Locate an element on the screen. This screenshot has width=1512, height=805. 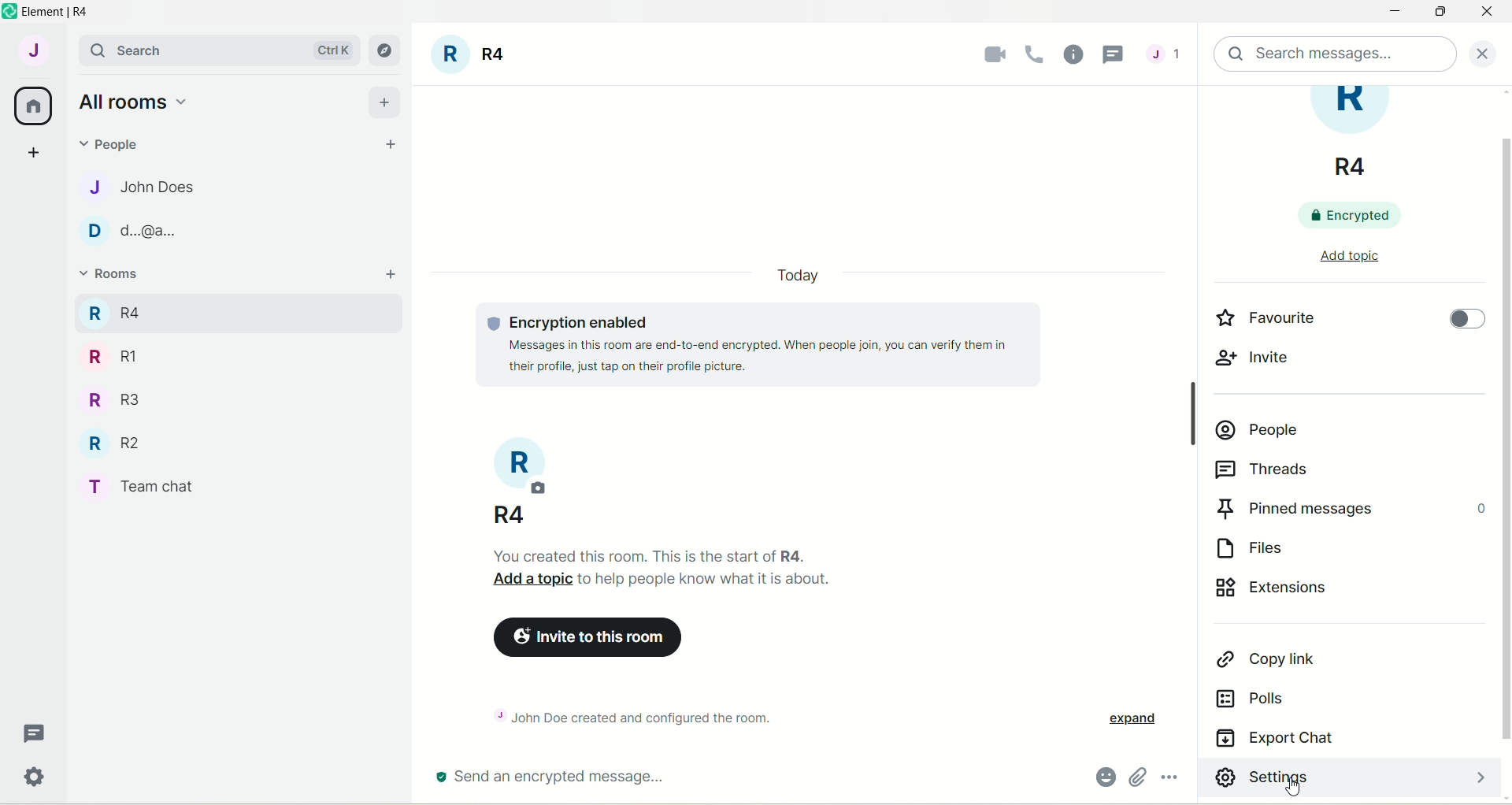
Scrollbar is located at coordinates (1189, 410).